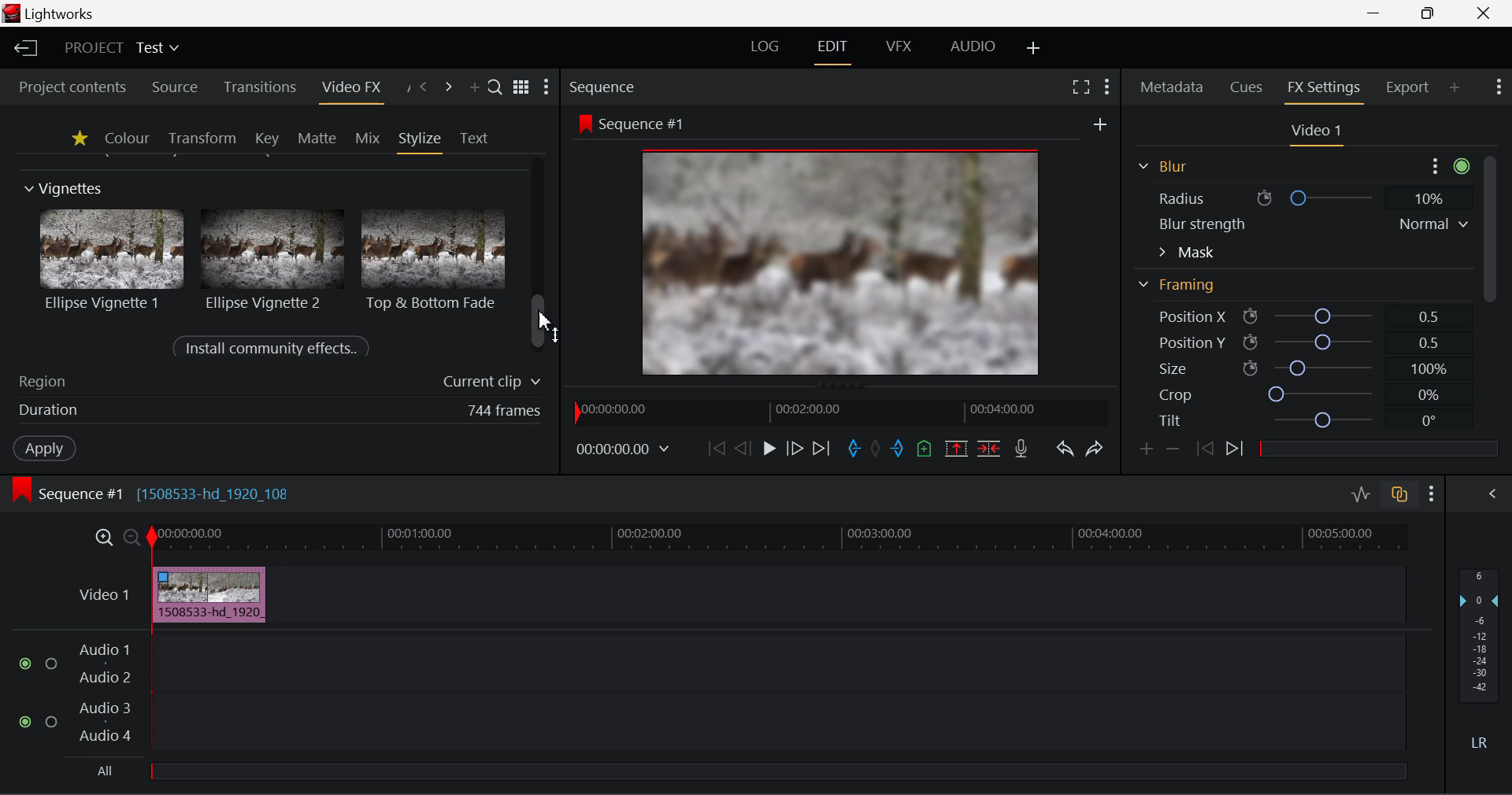 The image size is (1512, 795). I want to click on Transform, so click(202, 138).